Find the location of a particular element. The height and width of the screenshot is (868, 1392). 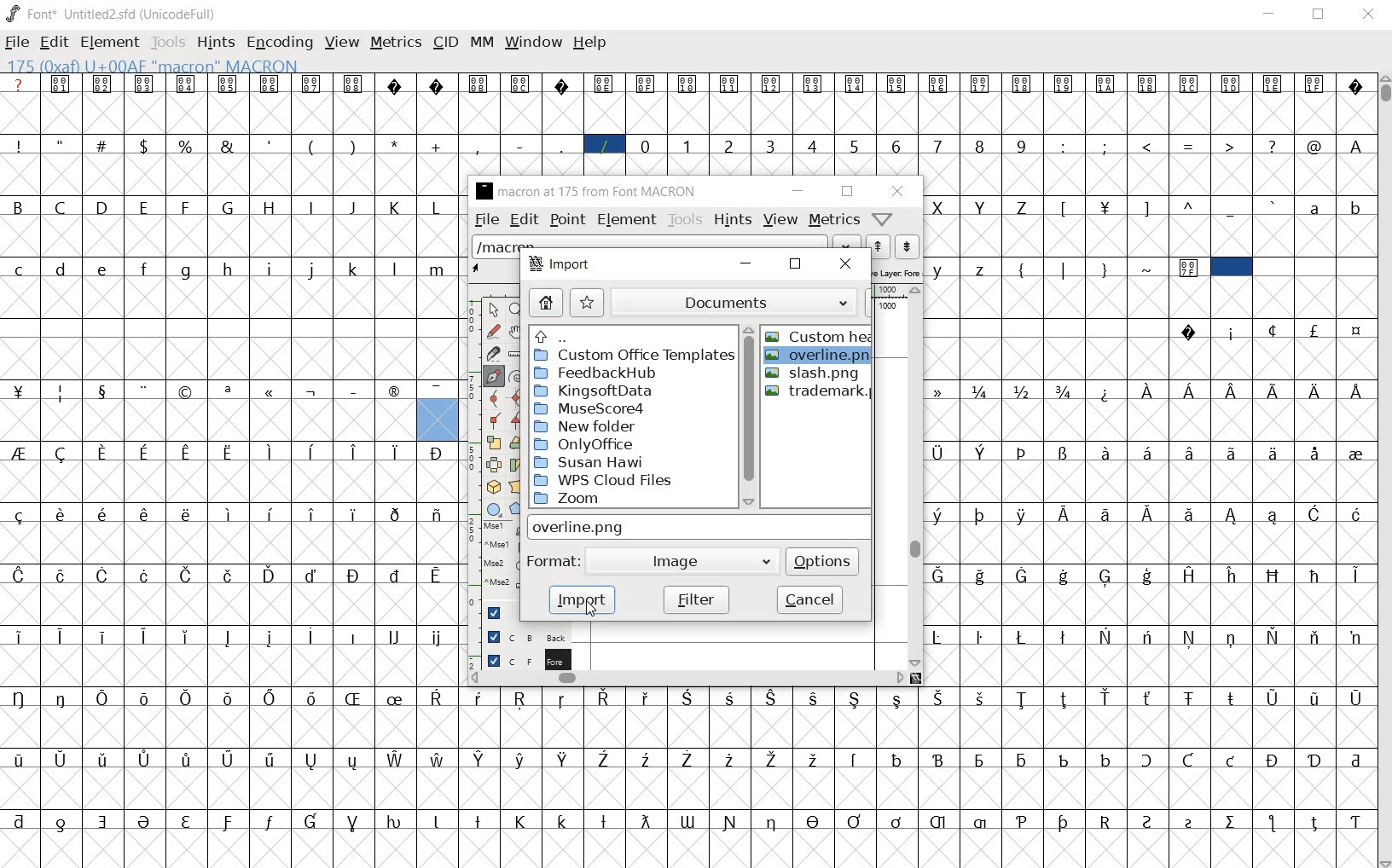

hints is located at coordinates (216, 43).